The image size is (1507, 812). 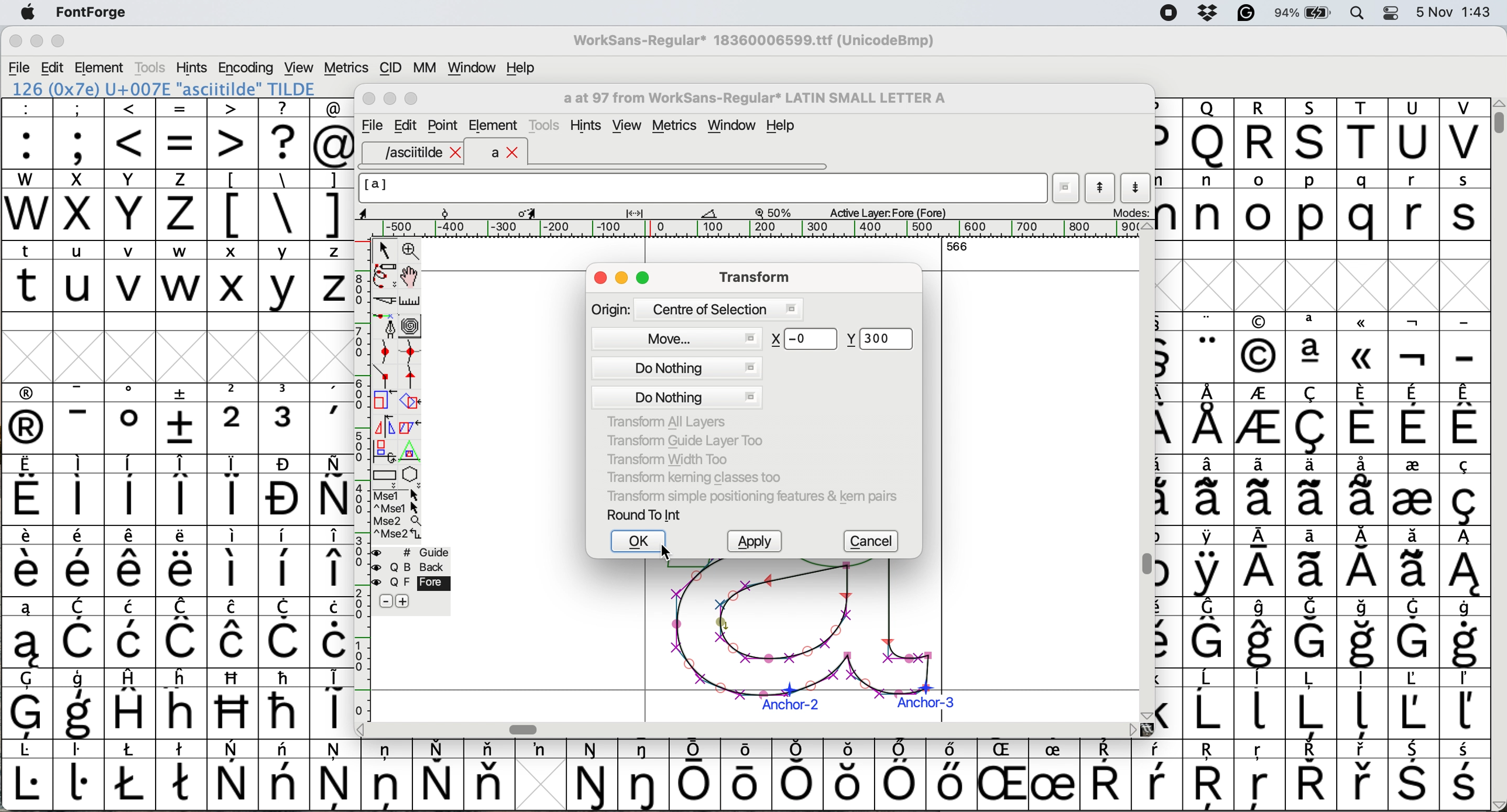 I want to click on zoom scale, so click(x=777, y=212).